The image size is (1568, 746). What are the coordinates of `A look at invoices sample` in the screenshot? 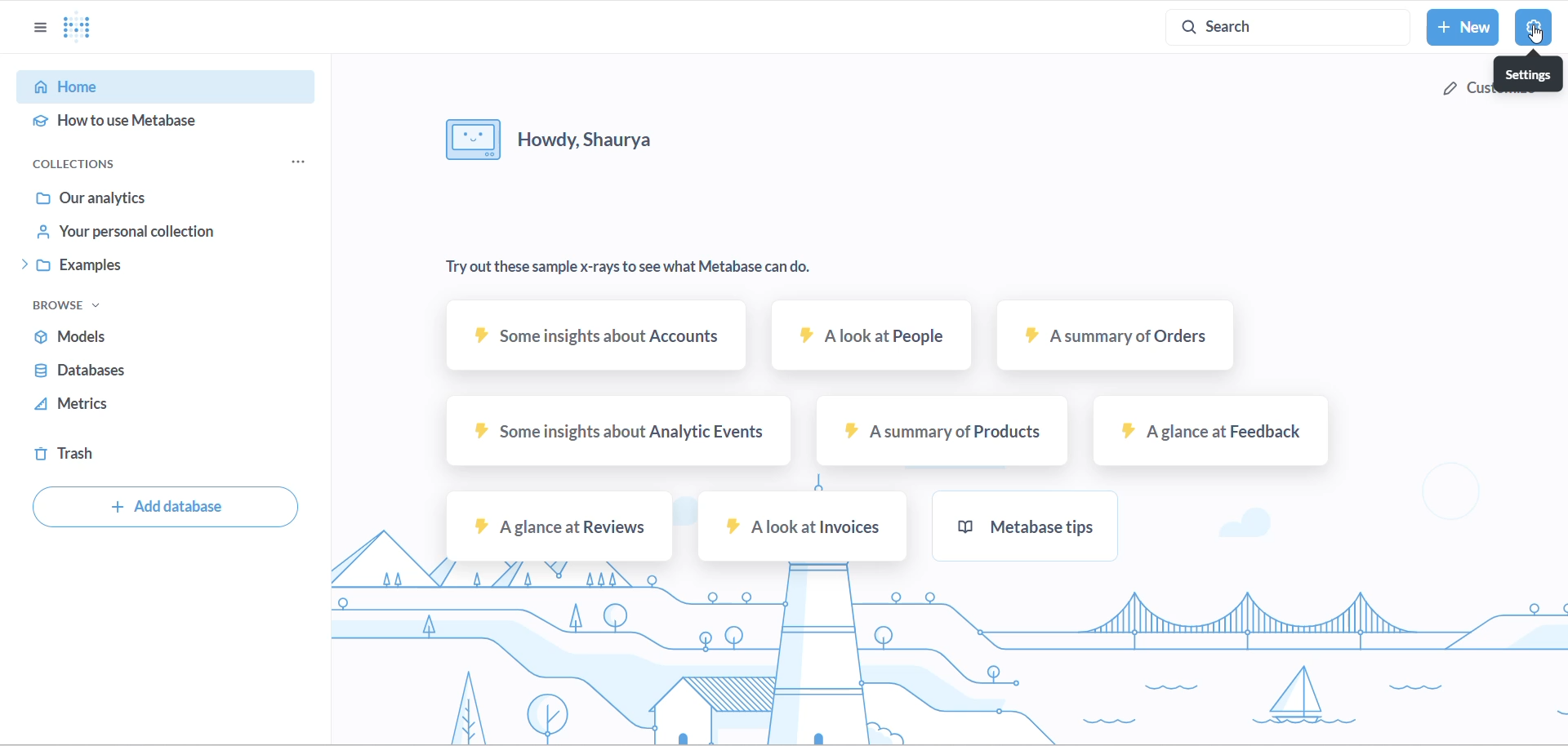 It's located at (806, 529).